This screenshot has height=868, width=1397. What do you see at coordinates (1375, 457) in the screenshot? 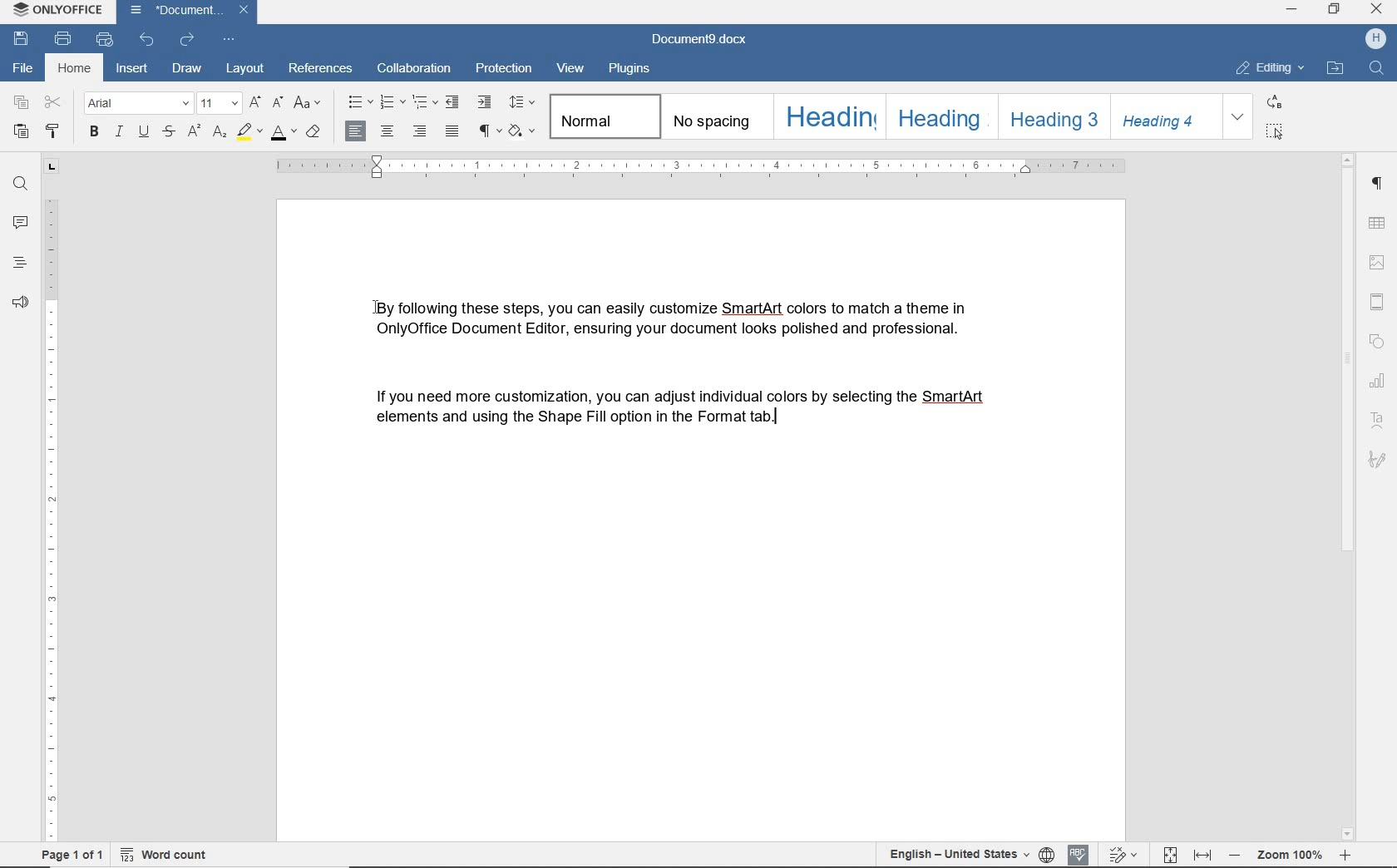
I see `signature` at bounding box center [1375, 457].